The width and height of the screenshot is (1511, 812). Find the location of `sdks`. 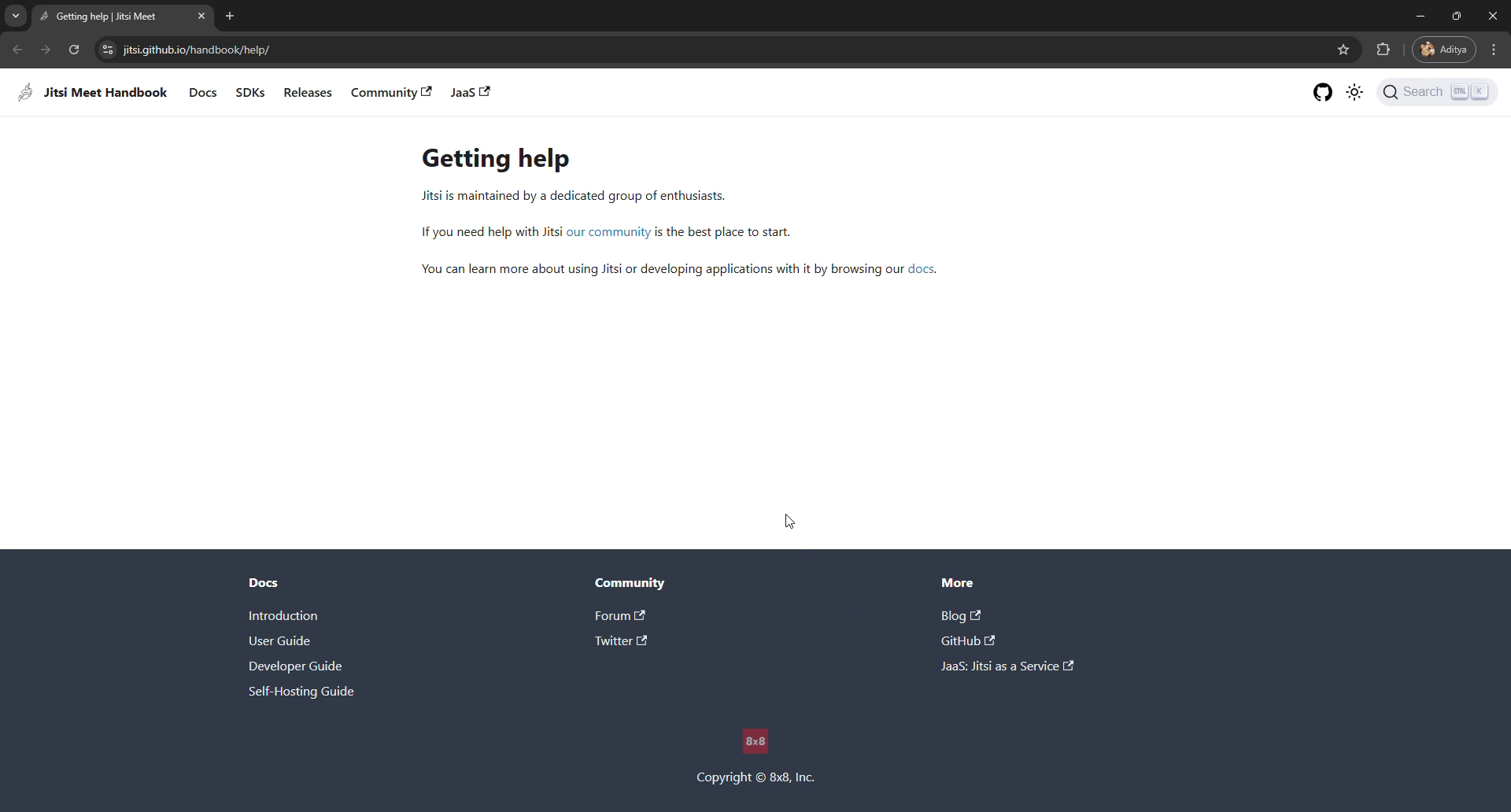

sdks is located at coordinates (250, 92).